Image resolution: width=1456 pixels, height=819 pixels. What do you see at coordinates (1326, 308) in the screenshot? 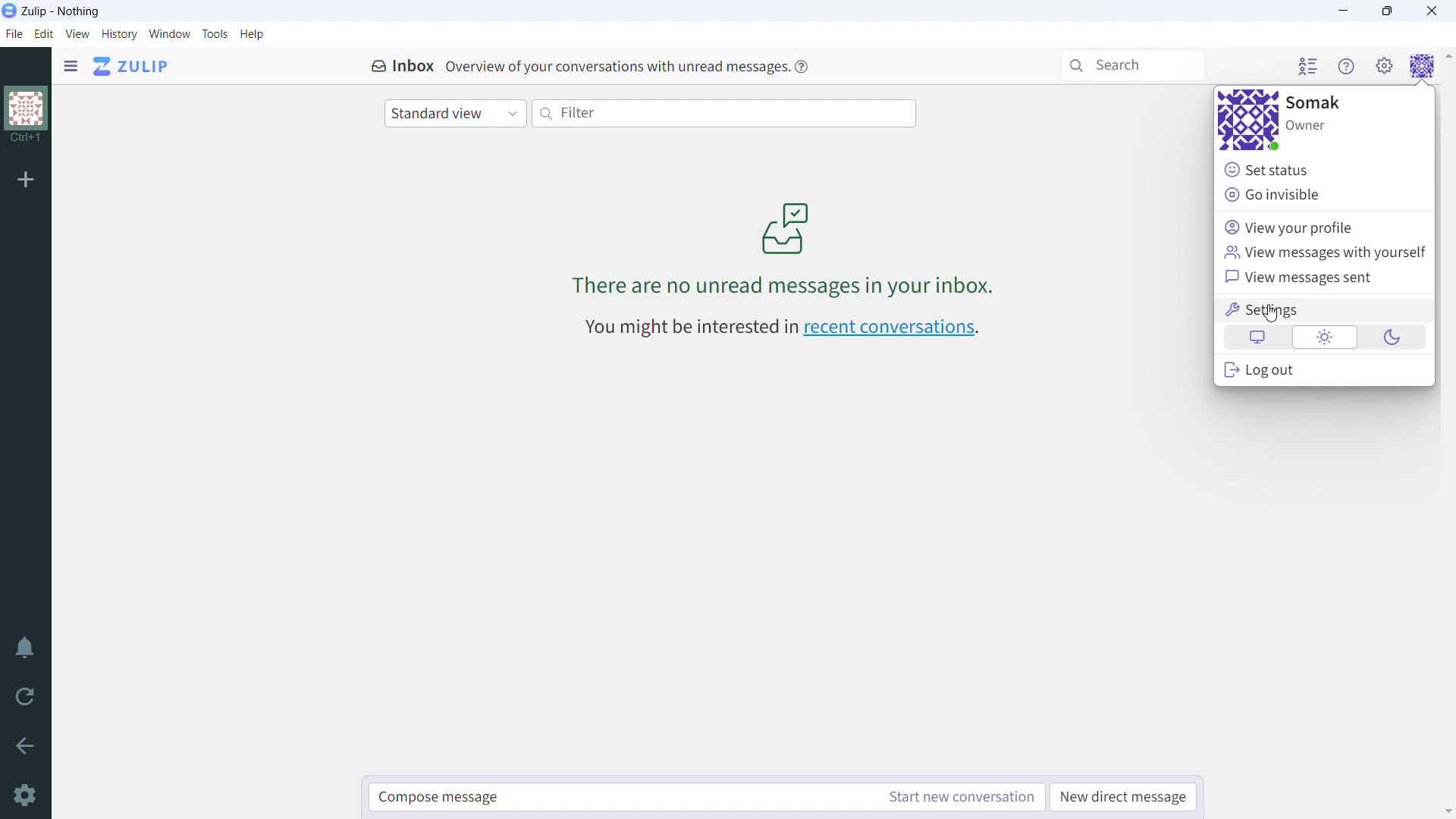
I see `settings` at bounding box center [1326, 308].